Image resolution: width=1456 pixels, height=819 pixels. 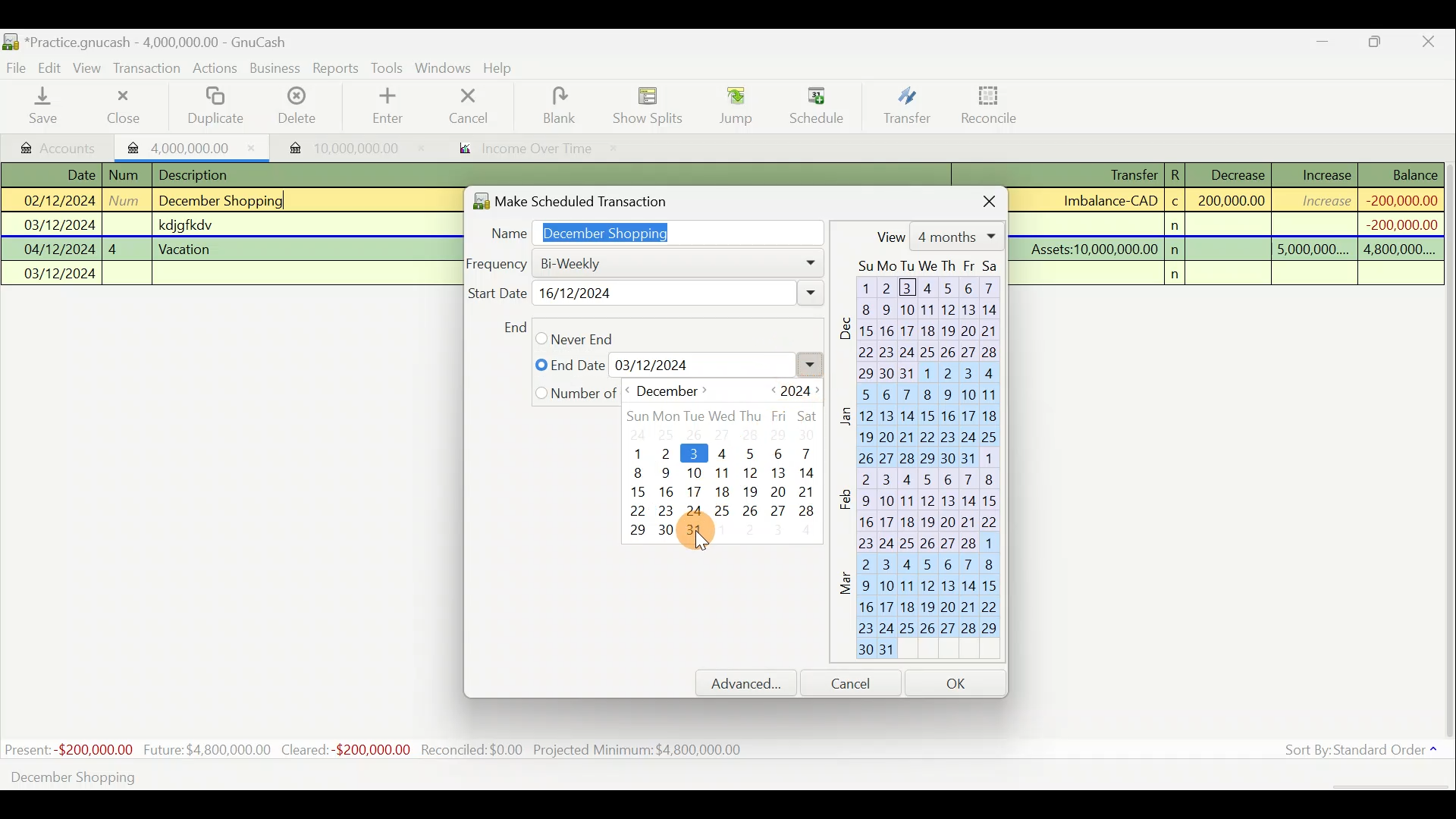 I want to click on Imported transaction 1, so click(x=193, y=146).